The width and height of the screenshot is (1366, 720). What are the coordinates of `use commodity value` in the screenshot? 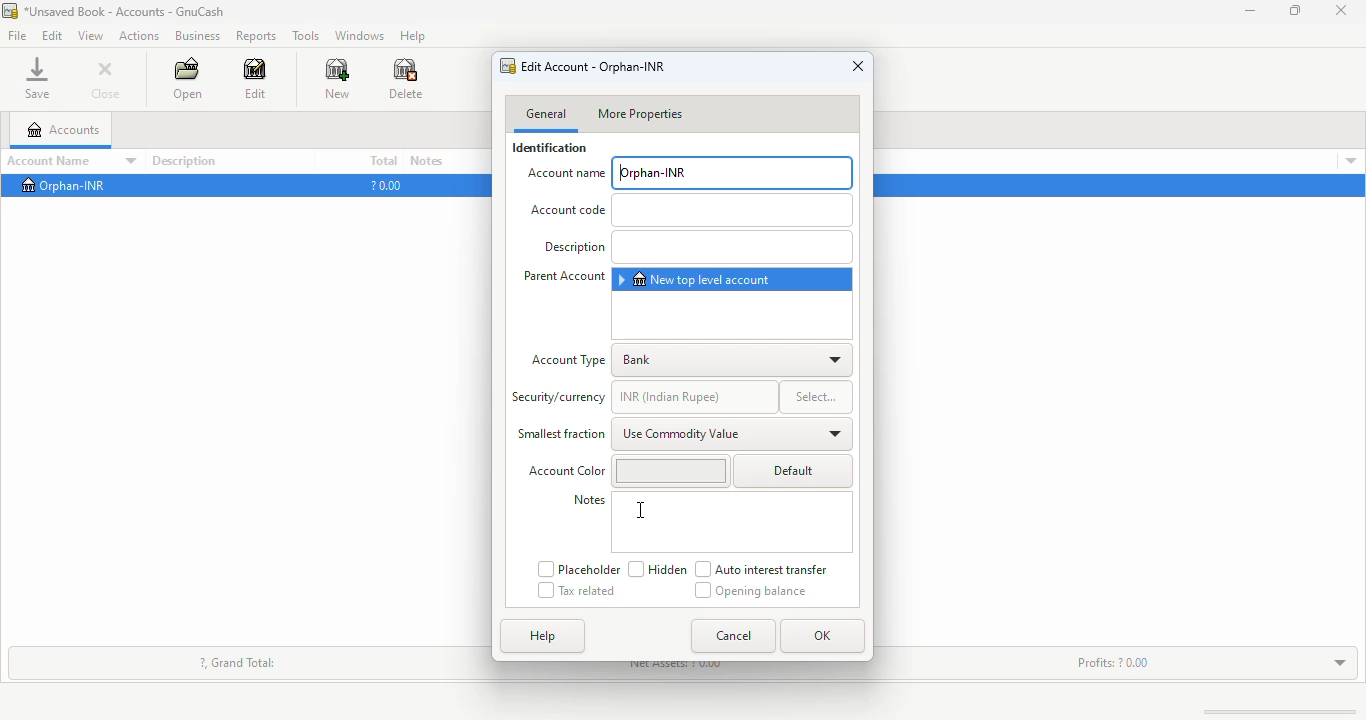 It's located at (733, 434).